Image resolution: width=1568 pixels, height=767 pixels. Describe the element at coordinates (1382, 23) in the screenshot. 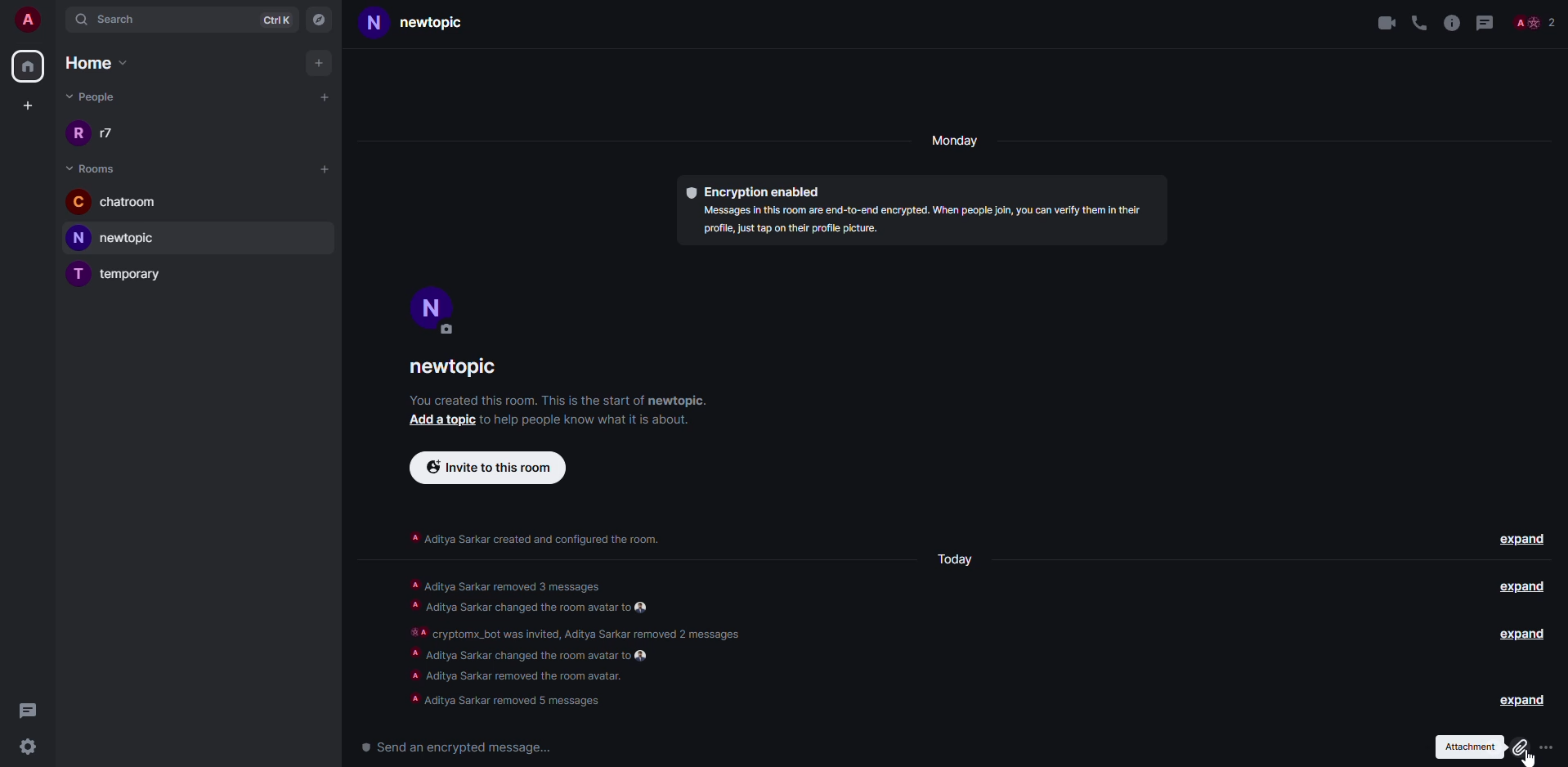

I see `video call` at that location.